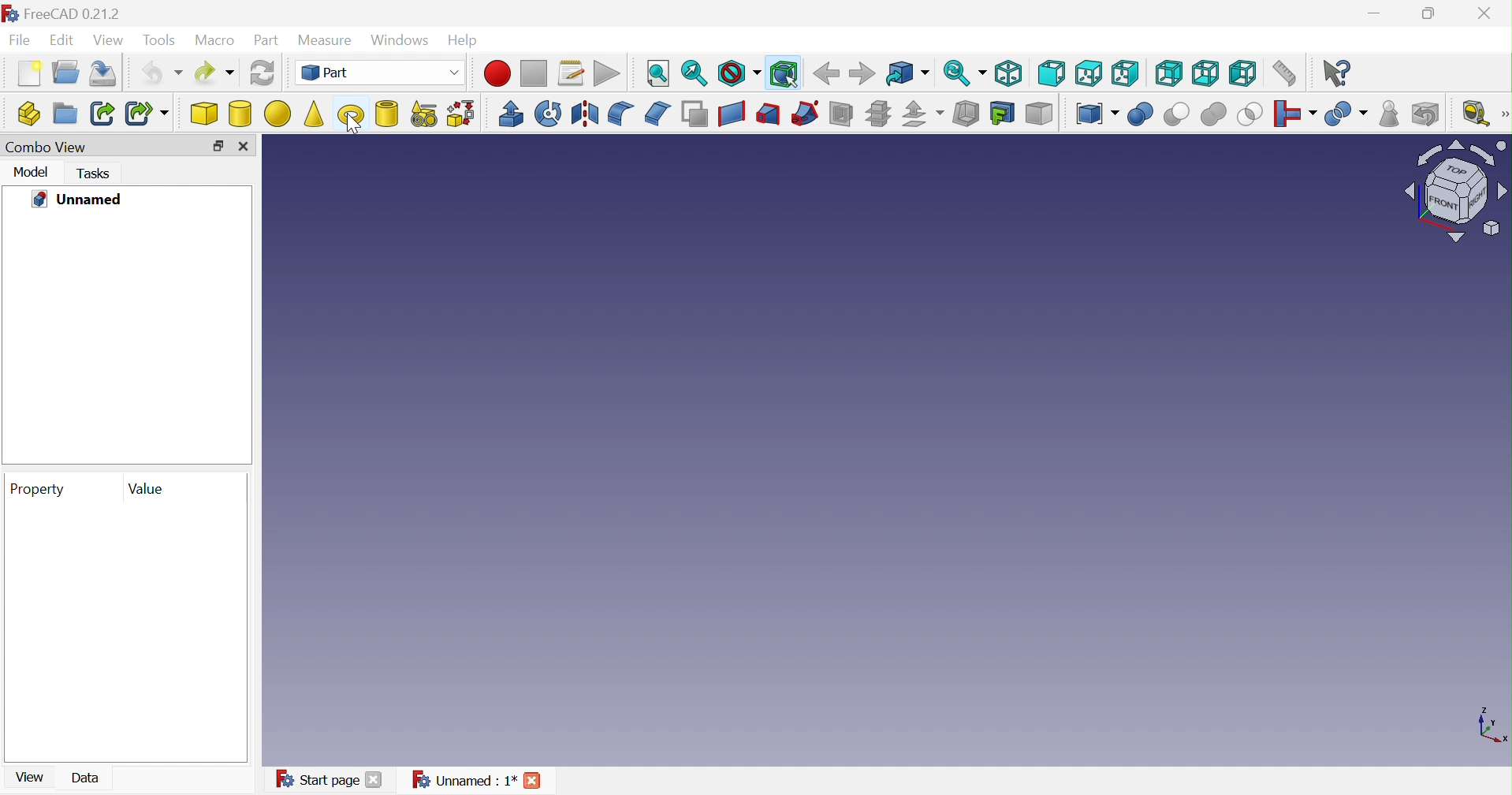  What do you see at coordinates (95, 174) in the screenshot?
I see `Tasks` at bounding box center [95, 174].